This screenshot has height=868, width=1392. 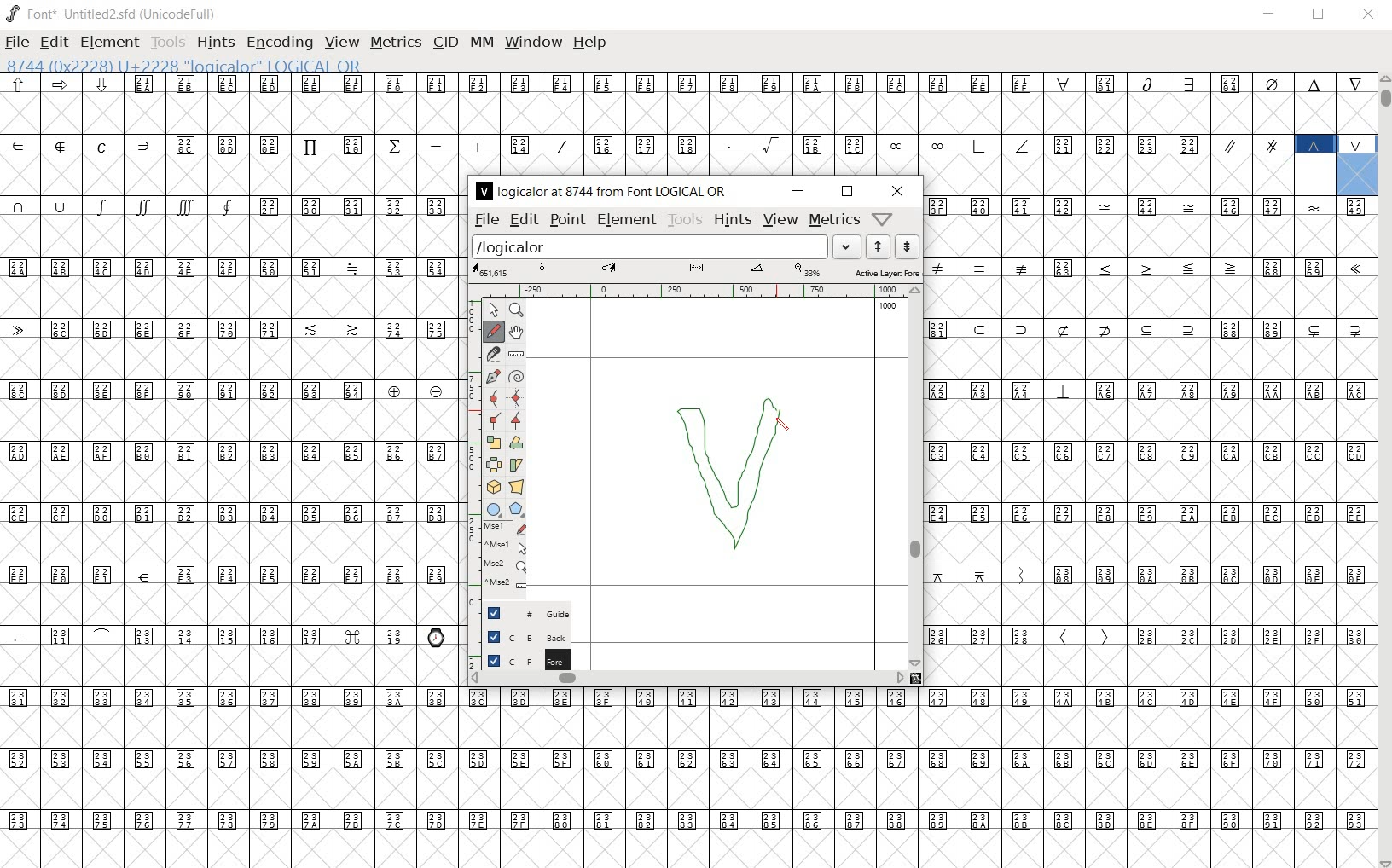 I want to click on minimize, so click(x=1271, y=14).